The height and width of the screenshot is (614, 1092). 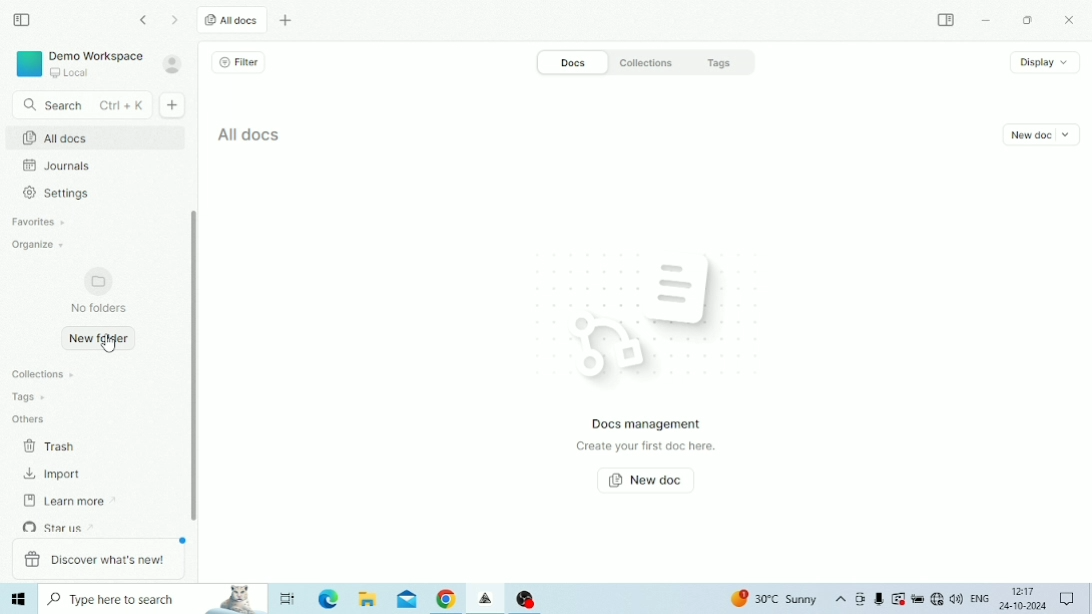 What do you see at coordinates (53, 474) in the screenshot?
I see `Import` at bounding box center [53, 474].